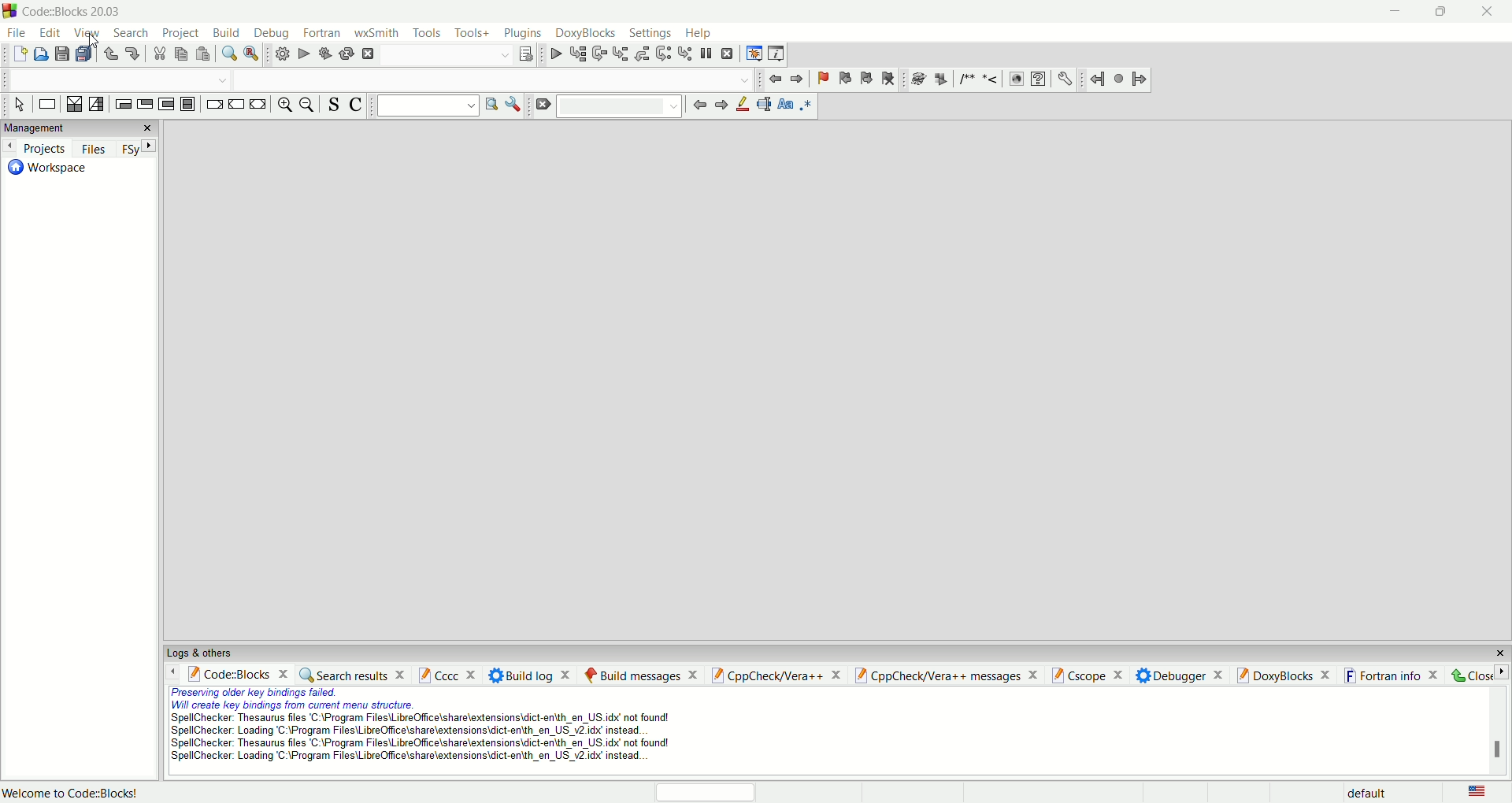 The image size is (1512, 803). I want to click on next, so click(721, 105).